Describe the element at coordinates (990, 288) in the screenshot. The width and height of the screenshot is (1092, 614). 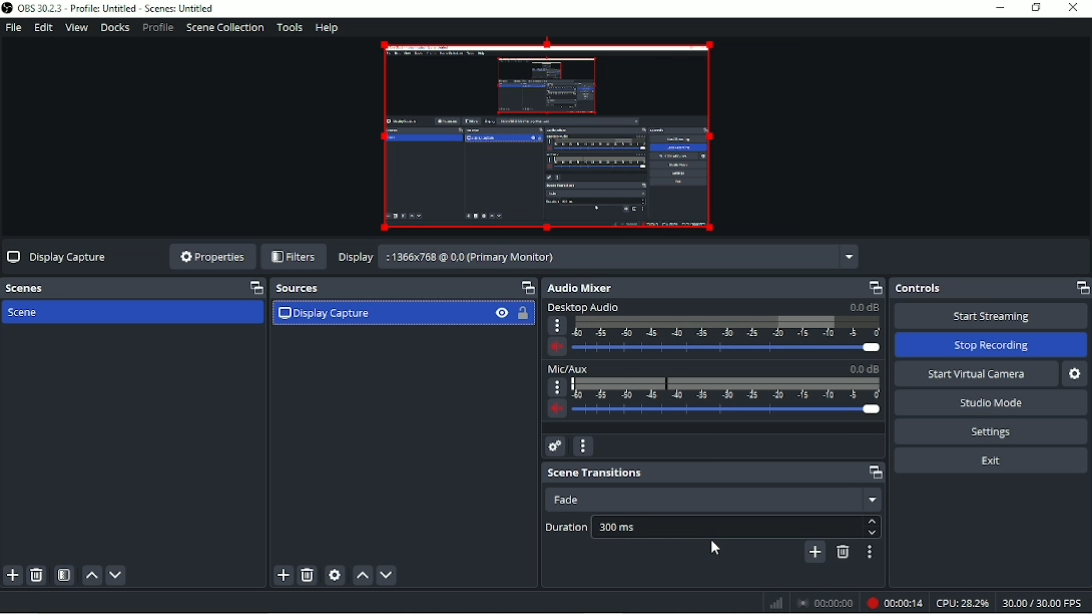
I see `Controls` at that location.